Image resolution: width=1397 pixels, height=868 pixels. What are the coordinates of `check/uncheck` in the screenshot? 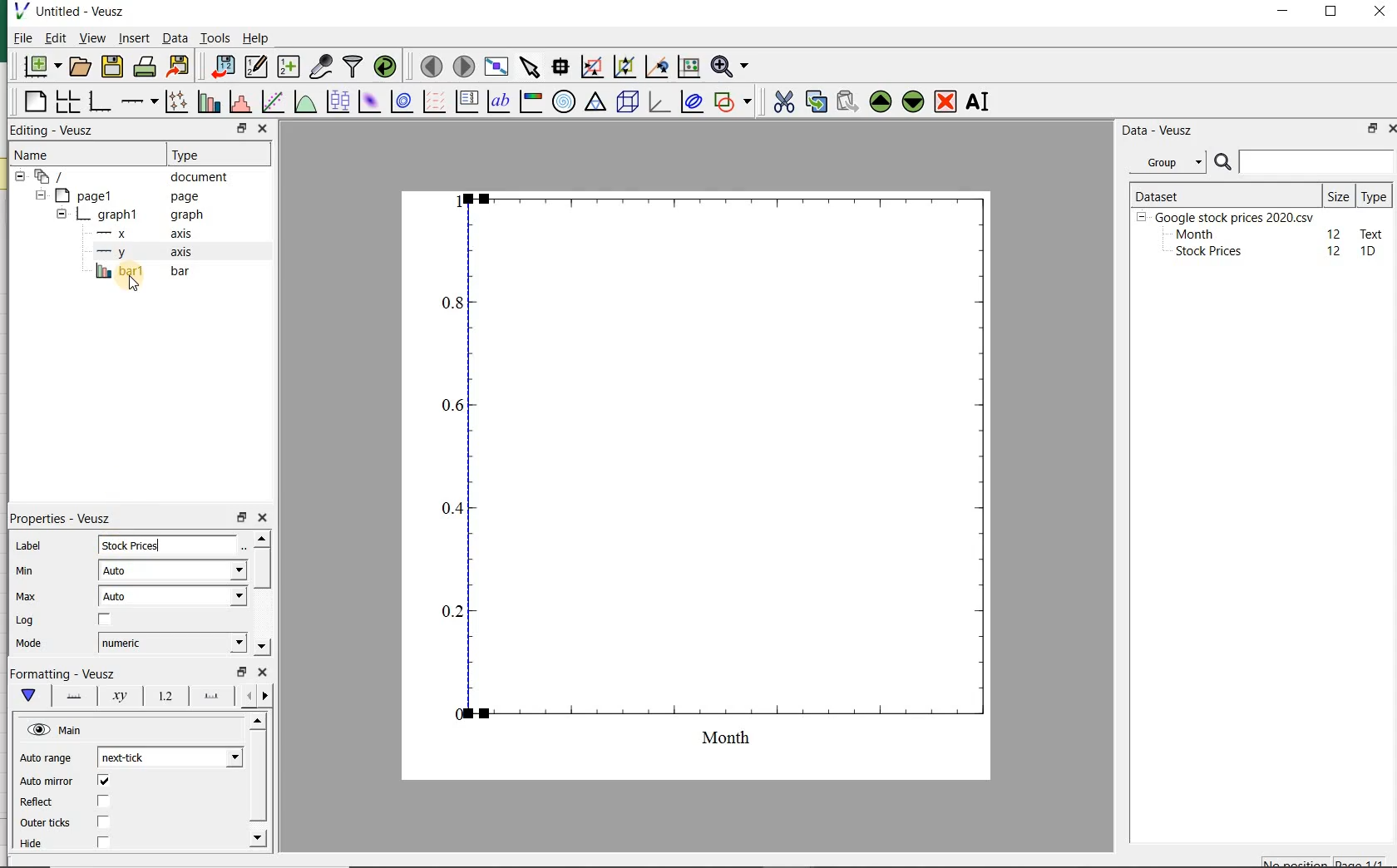 It's located at (103, 782).